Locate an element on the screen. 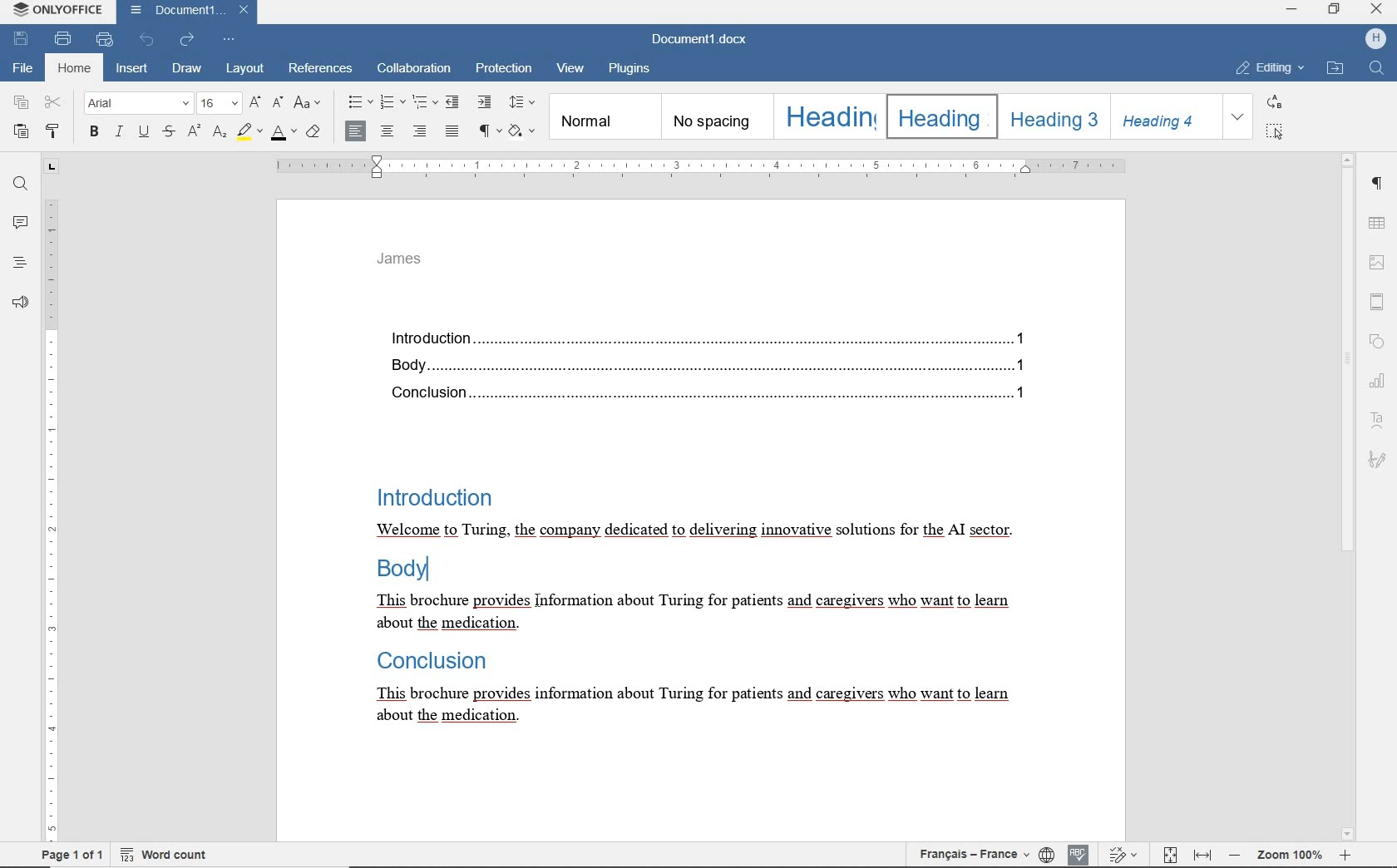 This screenshot has height=868, width=1397. Body....1 is located at coordinates (700, 365).